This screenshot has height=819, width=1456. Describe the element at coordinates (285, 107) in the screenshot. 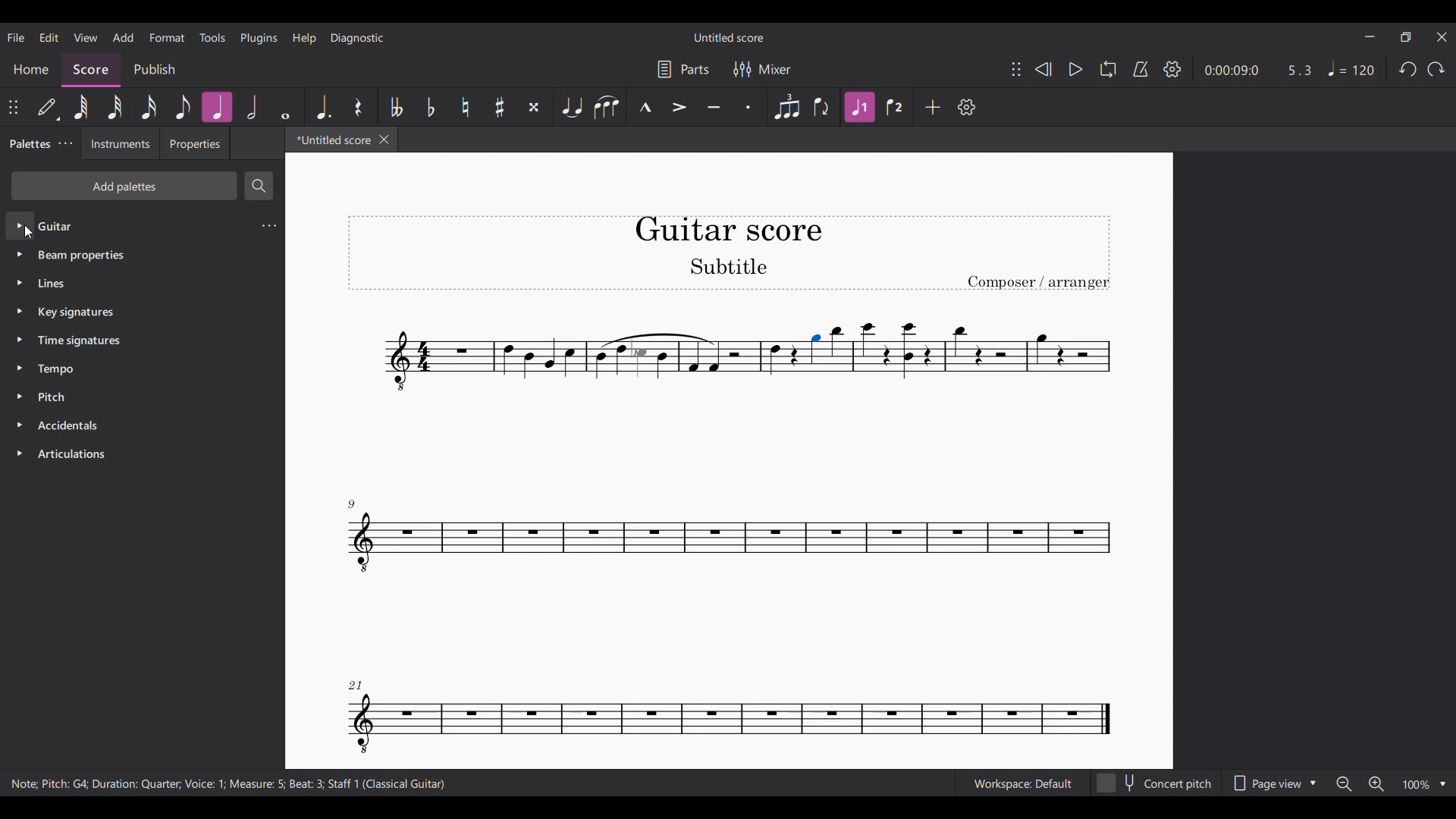

I see `Whole note` at that location.